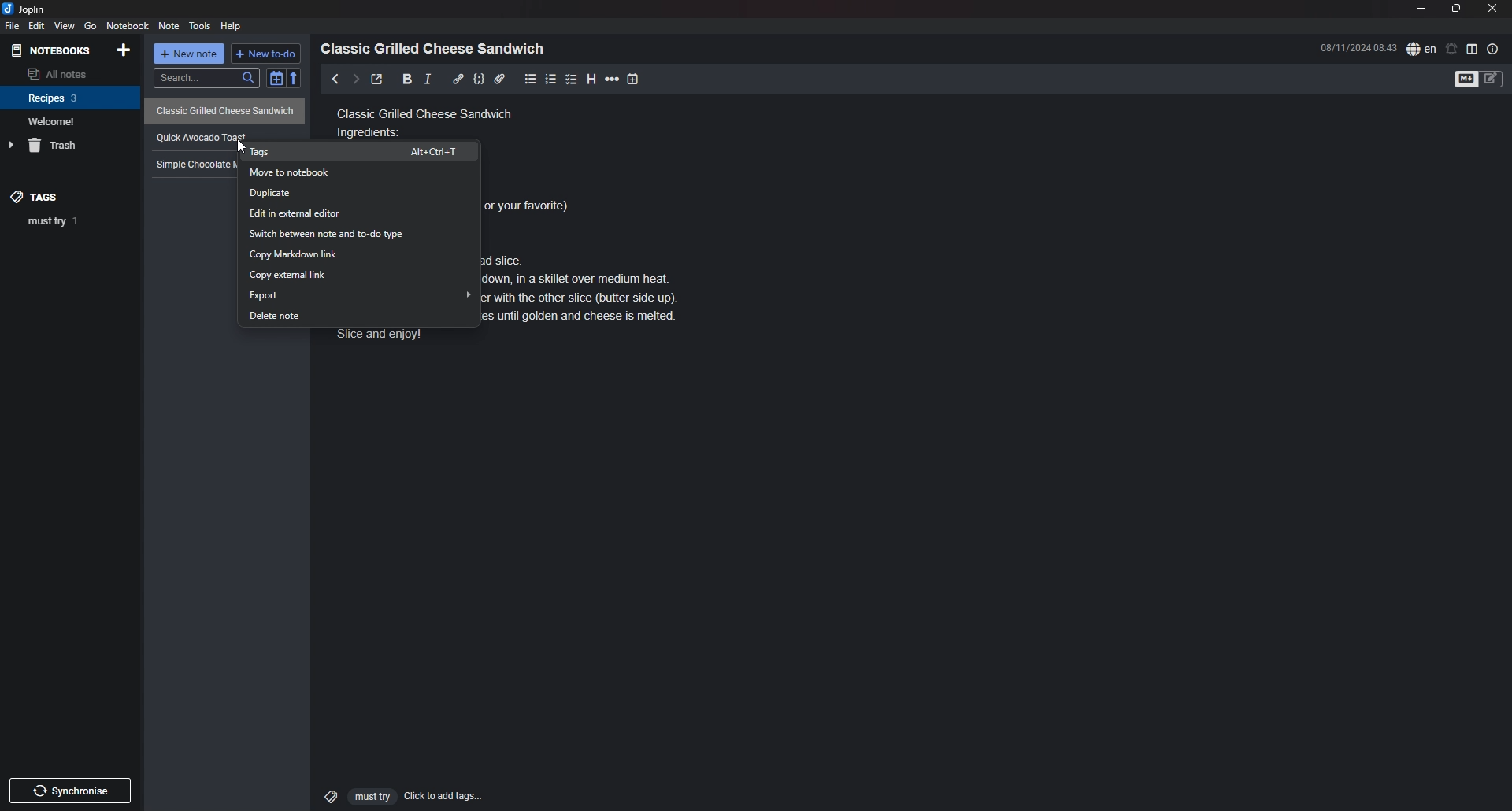  What do you see at coordinates (64, 26) in the screenshot?
I see `view` at bounding box center [64, 26].